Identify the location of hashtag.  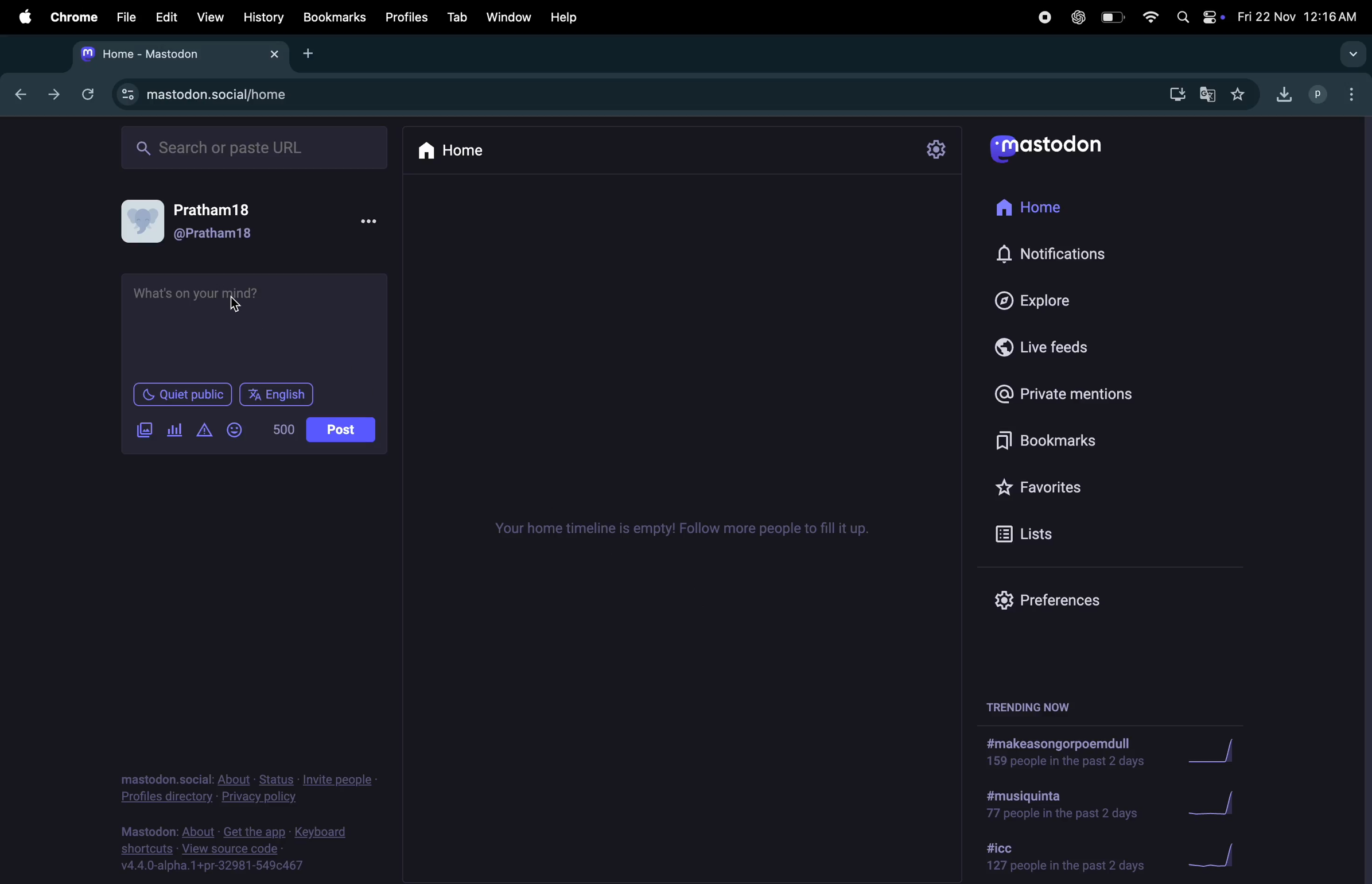
(1062, 857).